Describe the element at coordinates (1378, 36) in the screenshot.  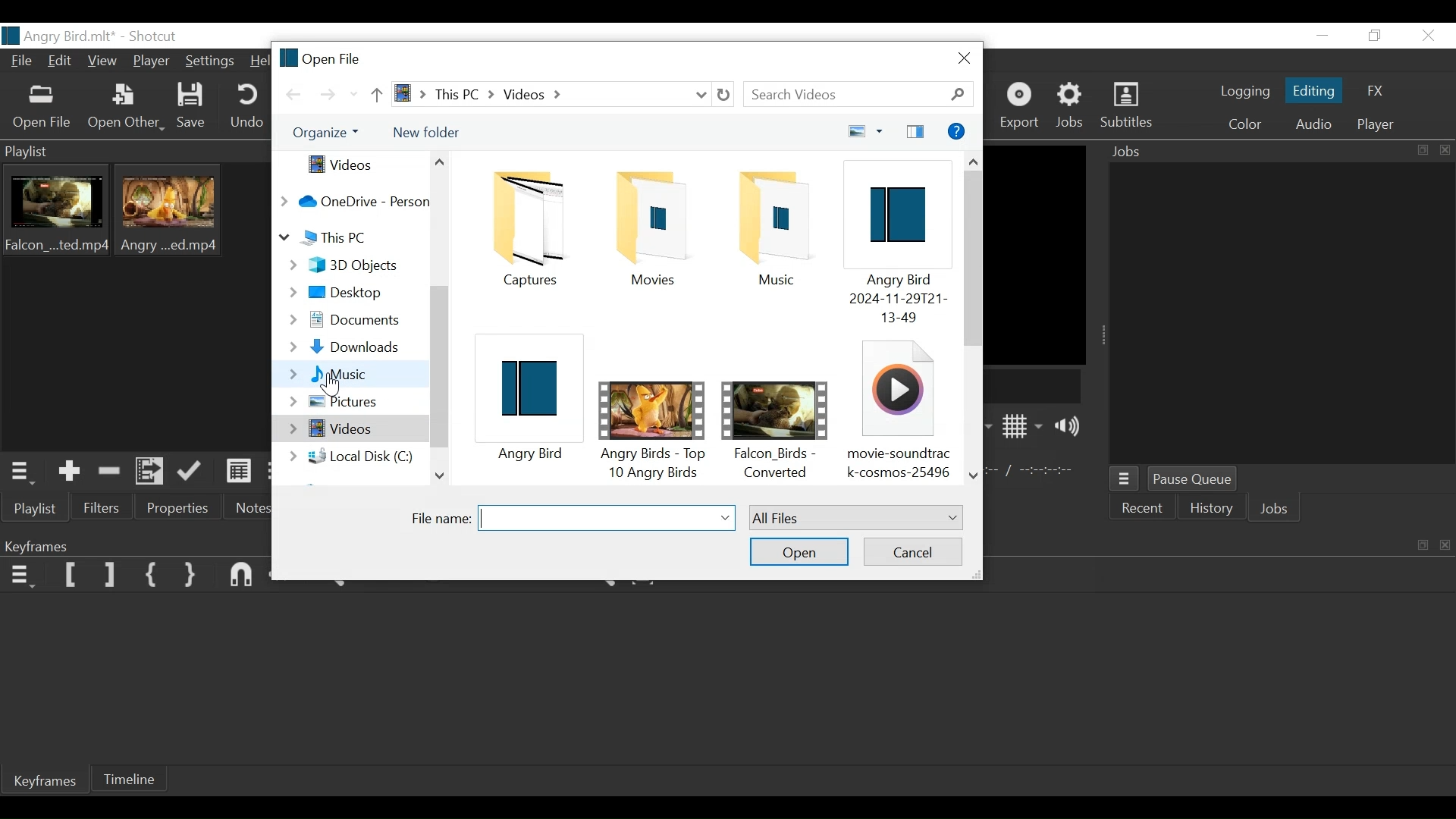
I see `Restore` at that location.